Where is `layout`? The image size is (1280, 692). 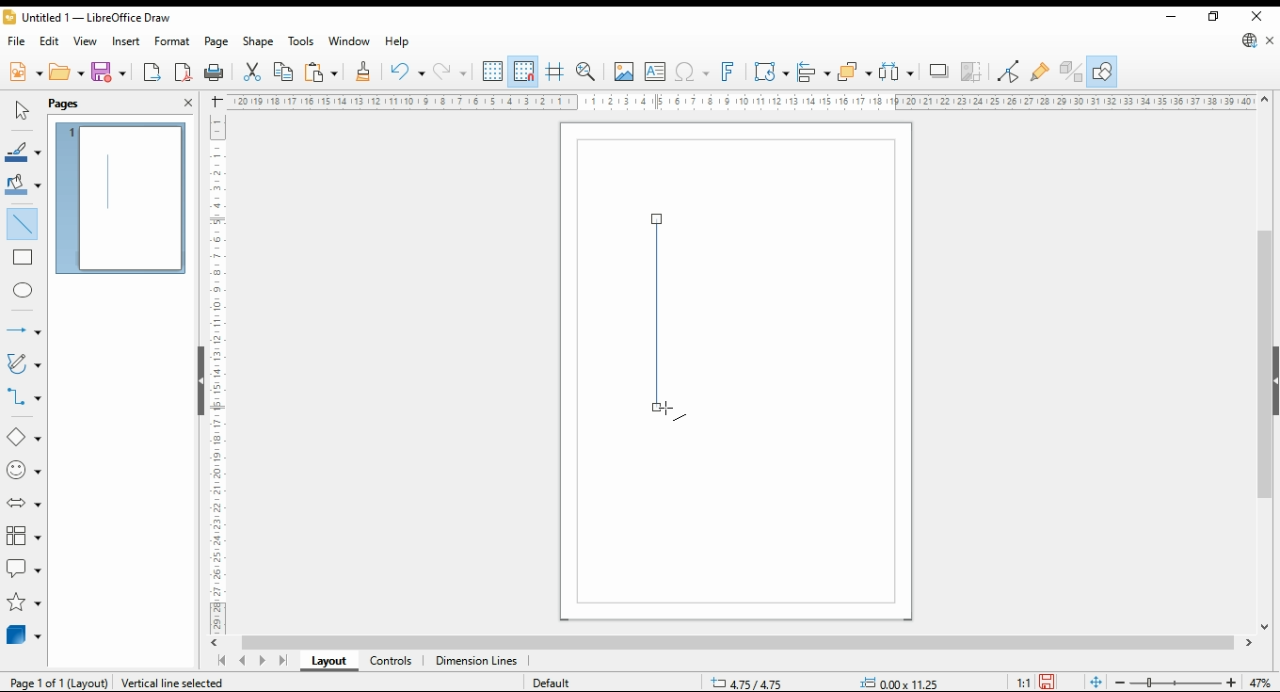 layout is located at coordinates (328, 662).